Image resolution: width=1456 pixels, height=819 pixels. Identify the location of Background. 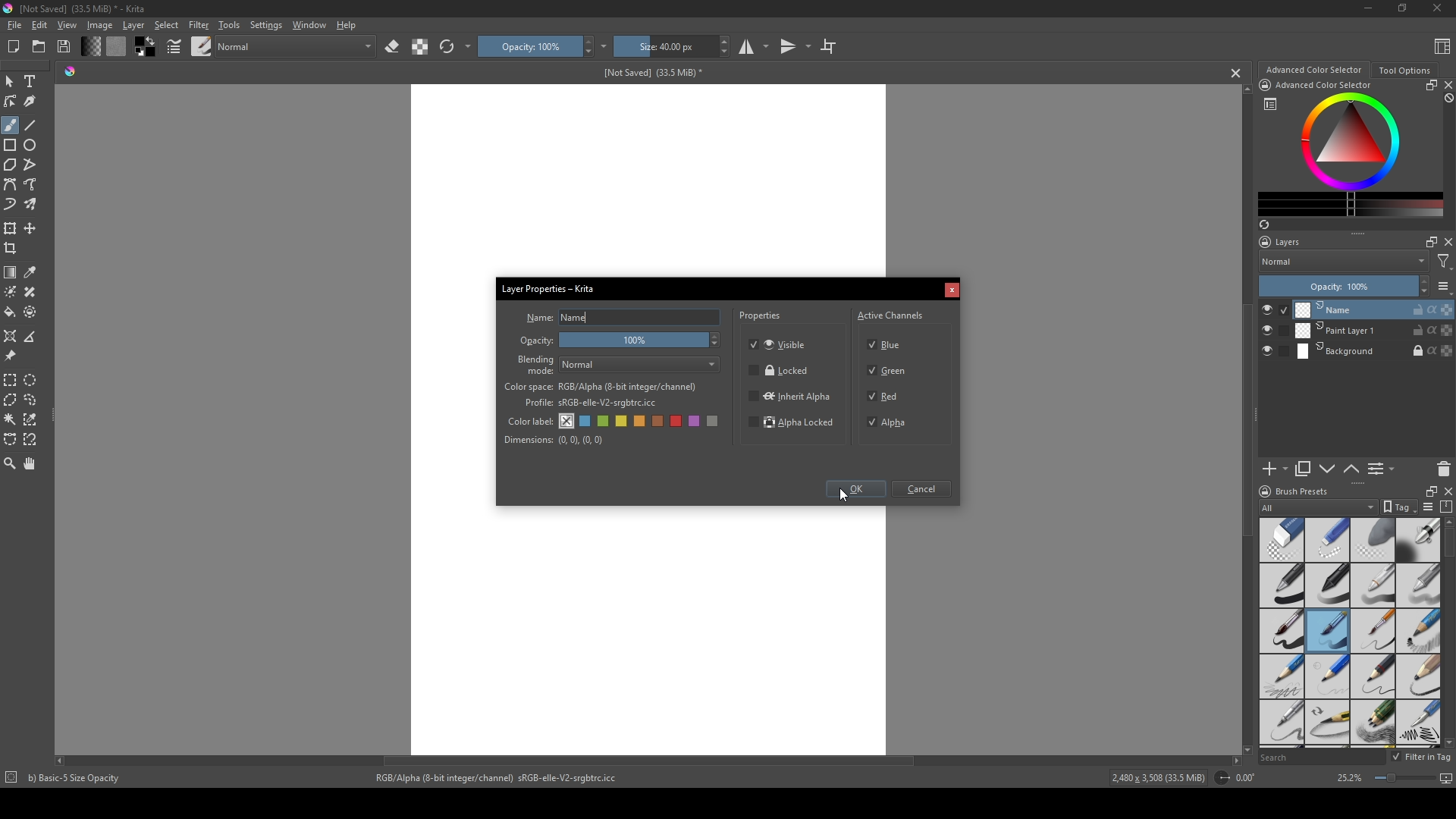
(1375, 352).